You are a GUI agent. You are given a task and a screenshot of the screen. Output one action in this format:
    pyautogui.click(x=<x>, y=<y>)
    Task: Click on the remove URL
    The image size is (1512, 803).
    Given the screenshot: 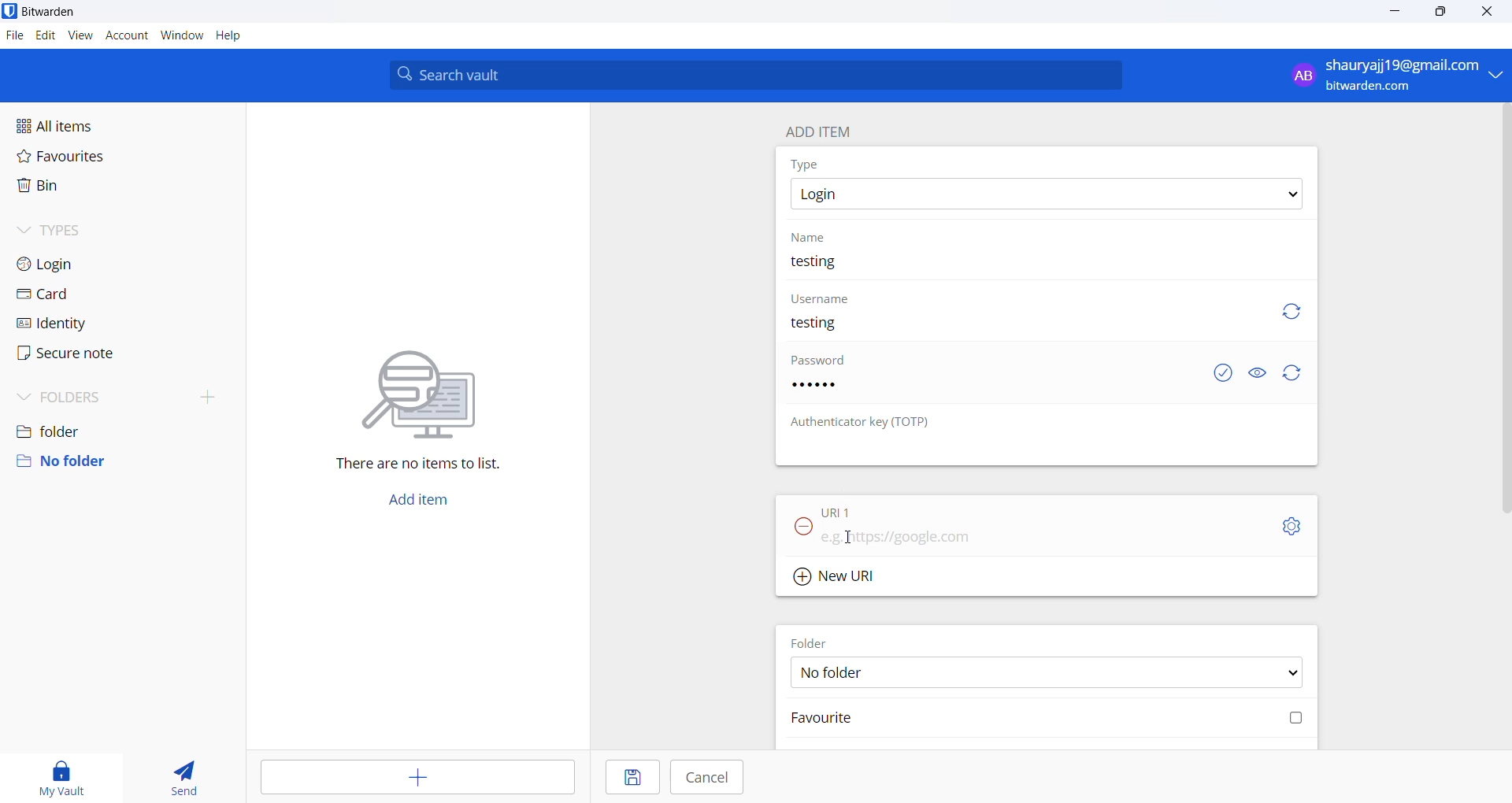 What is the action you would take?
    pyautogui.click(x=804, y=527)
    